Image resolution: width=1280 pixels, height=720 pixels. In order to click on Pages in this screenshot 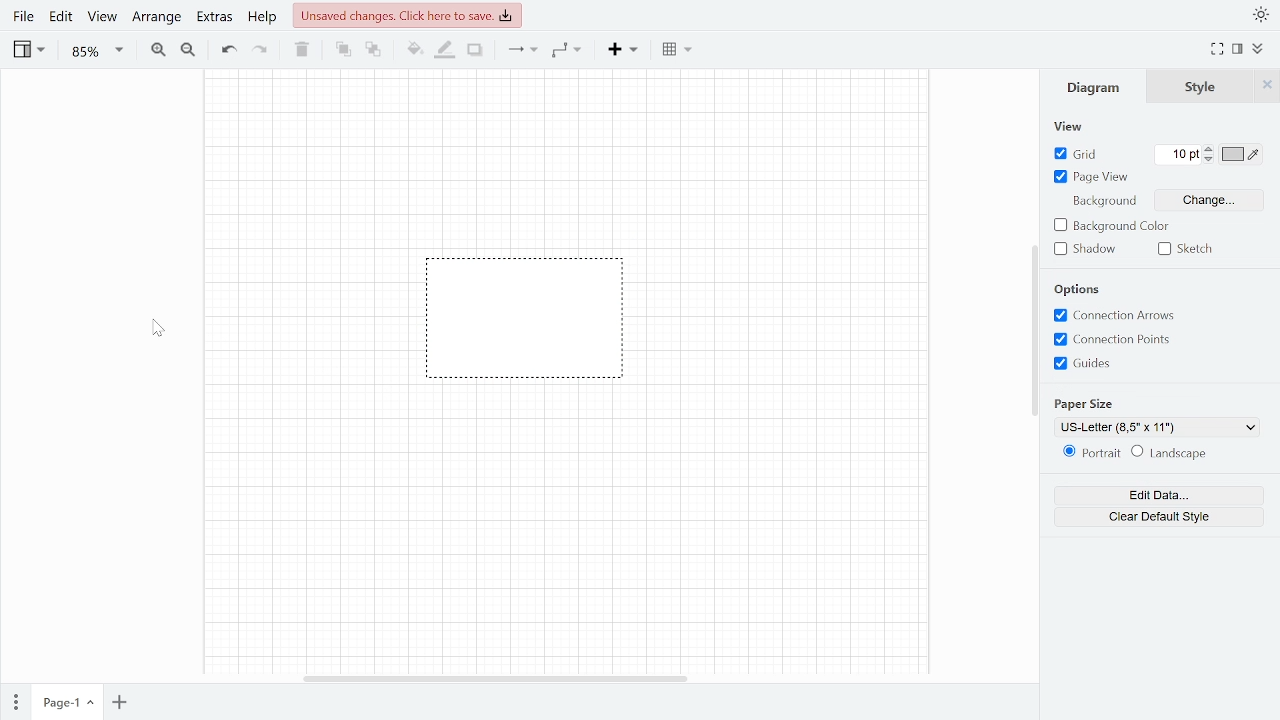, I will do `click(14, 702)`.